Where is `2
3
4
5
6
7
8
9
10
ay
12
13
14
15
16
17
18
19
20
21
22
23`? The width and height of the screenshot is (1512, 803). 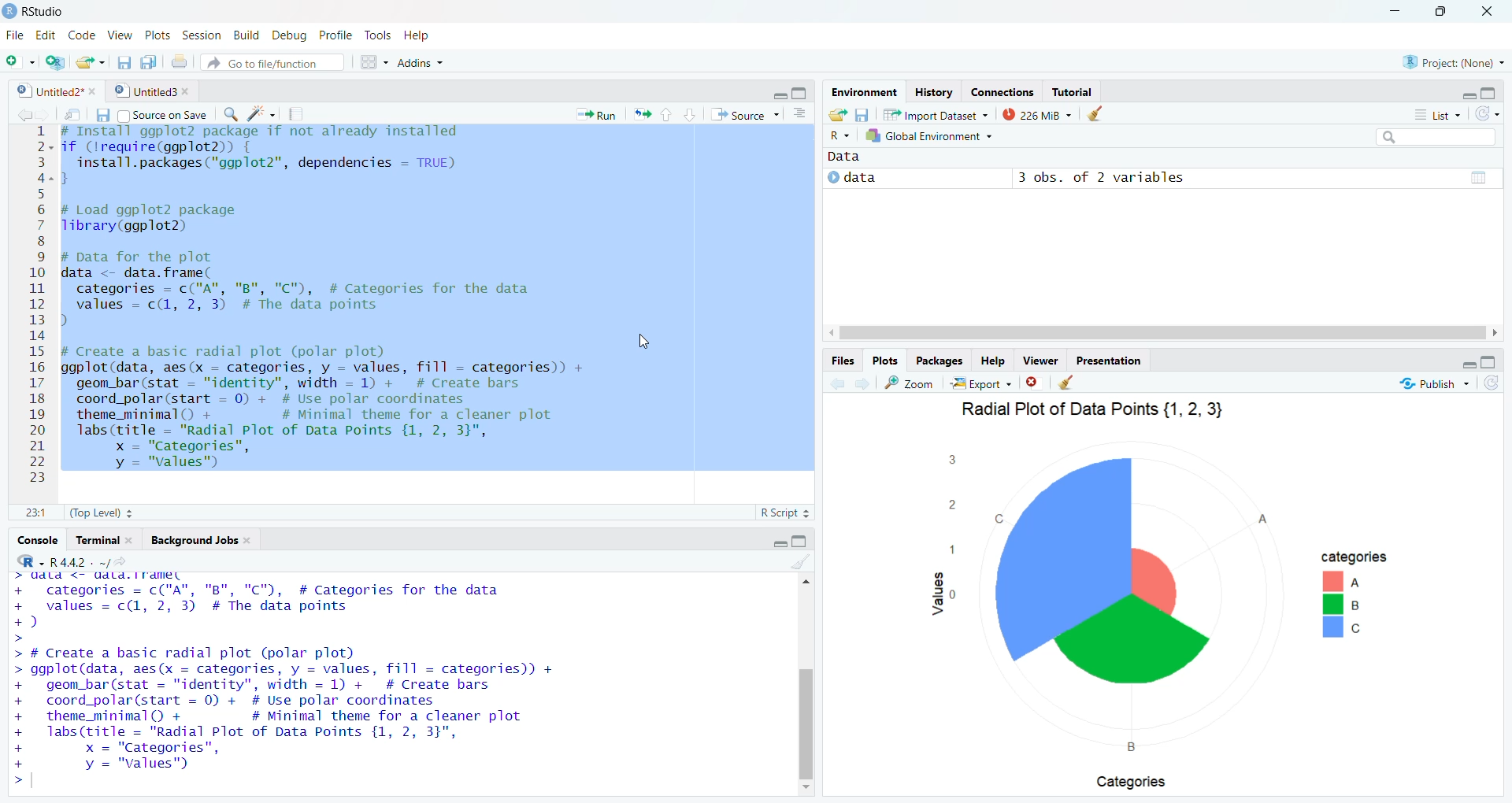 2
3
4
5
6
7
8
9
10
ay
12
13
14
15
16
17
18
19
20
21
22
23 is located at coordinates (37, 309).